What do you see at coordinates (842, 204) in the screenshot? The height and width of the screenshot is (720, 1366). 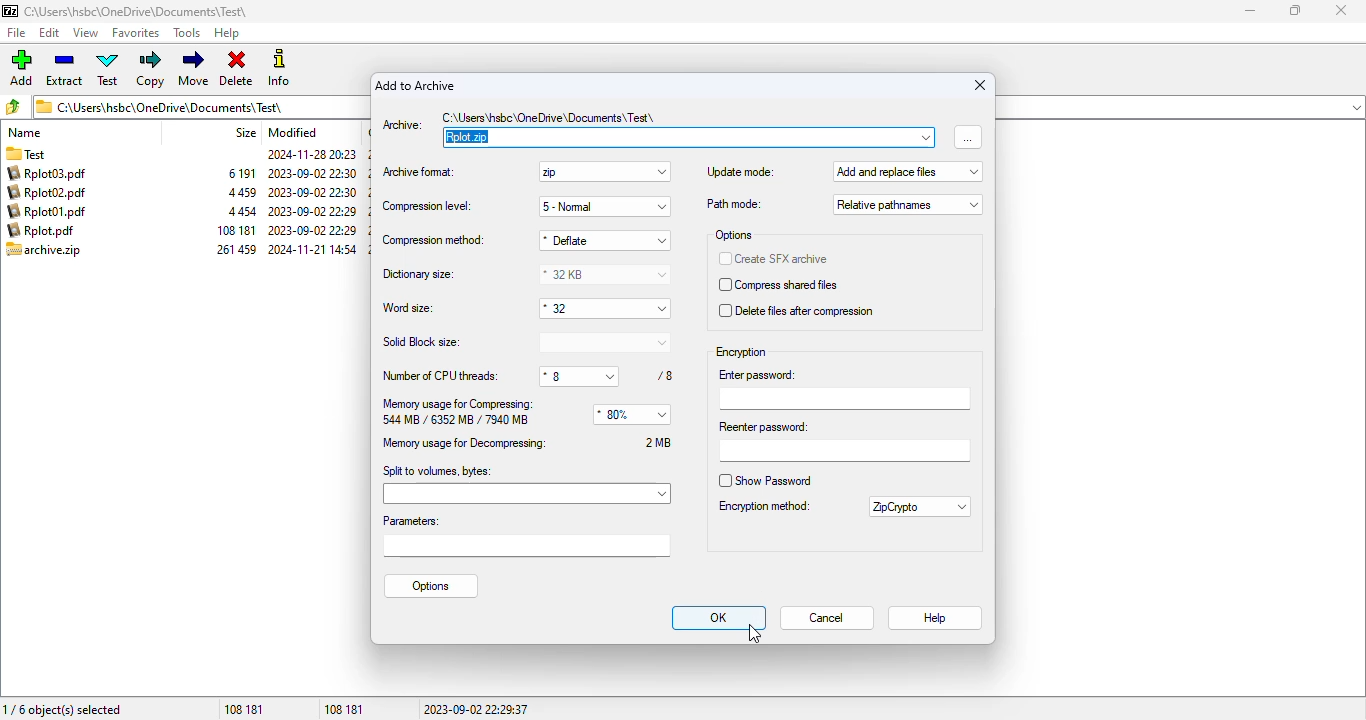 I see `path mode: relative pathnames` at bounding box center [842, 204].